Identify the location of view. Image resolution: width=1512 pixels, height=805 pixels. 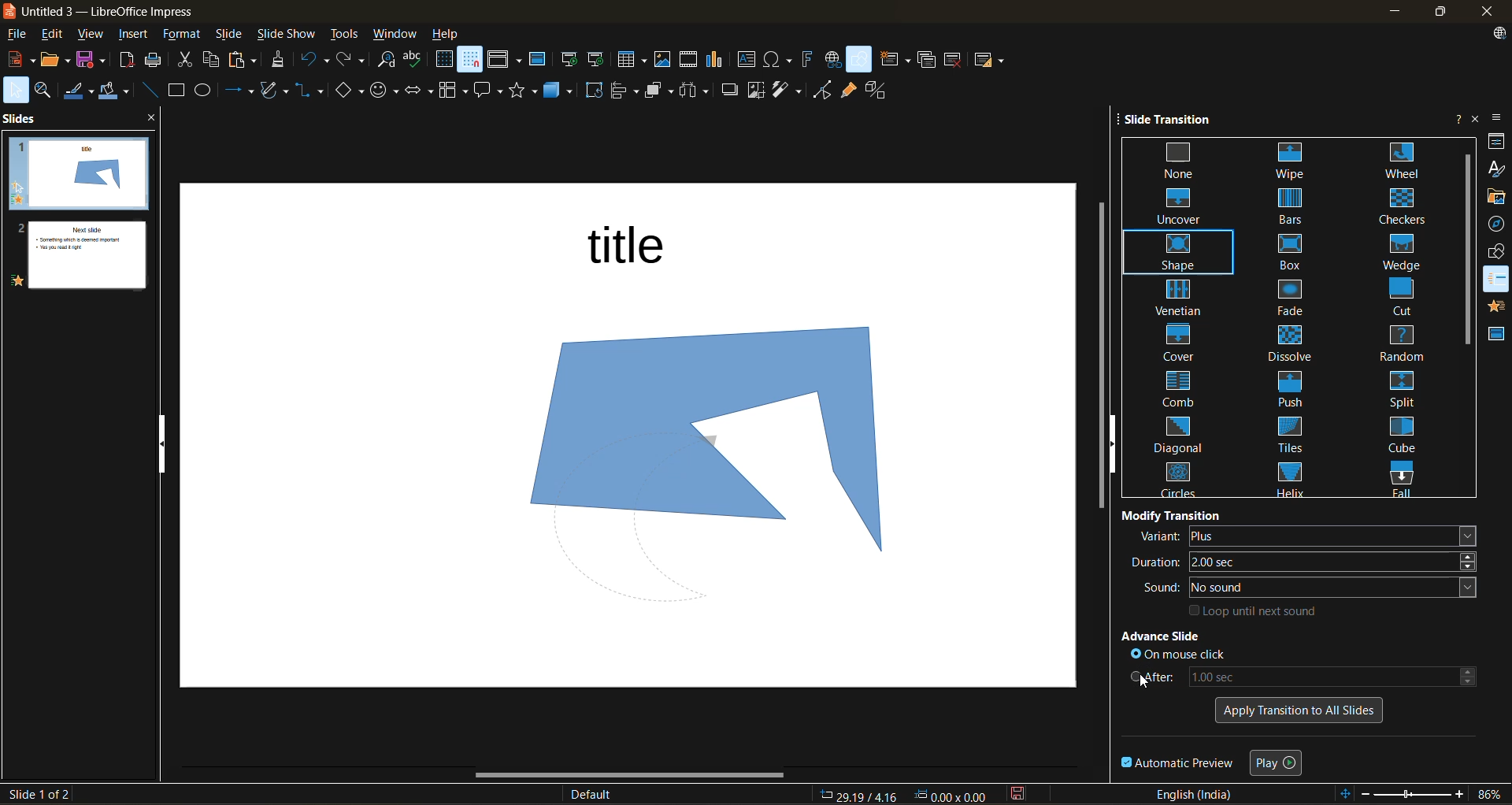
(94, 35).